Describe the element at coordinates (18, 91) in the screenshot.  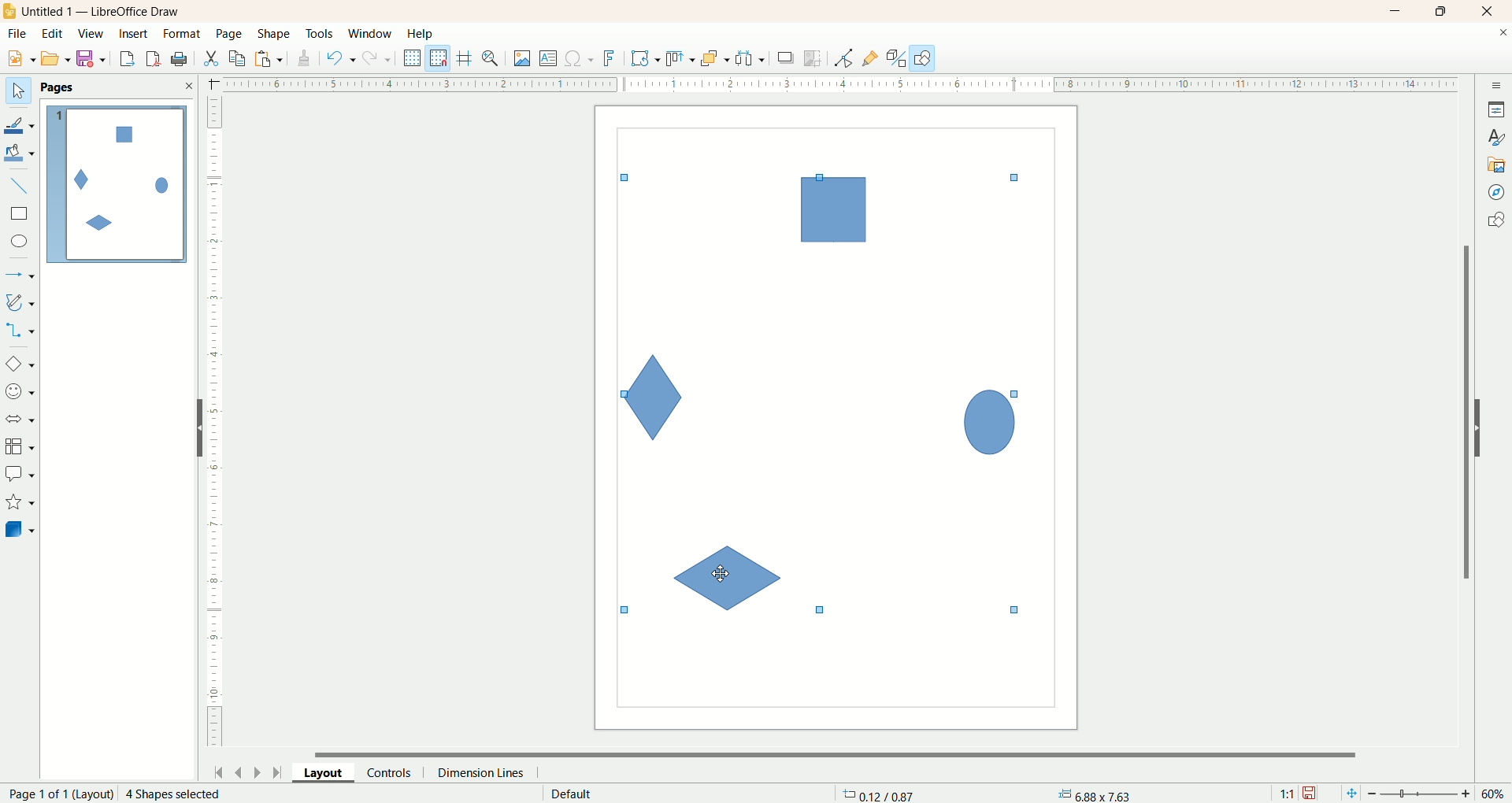
I see `select` at that location.